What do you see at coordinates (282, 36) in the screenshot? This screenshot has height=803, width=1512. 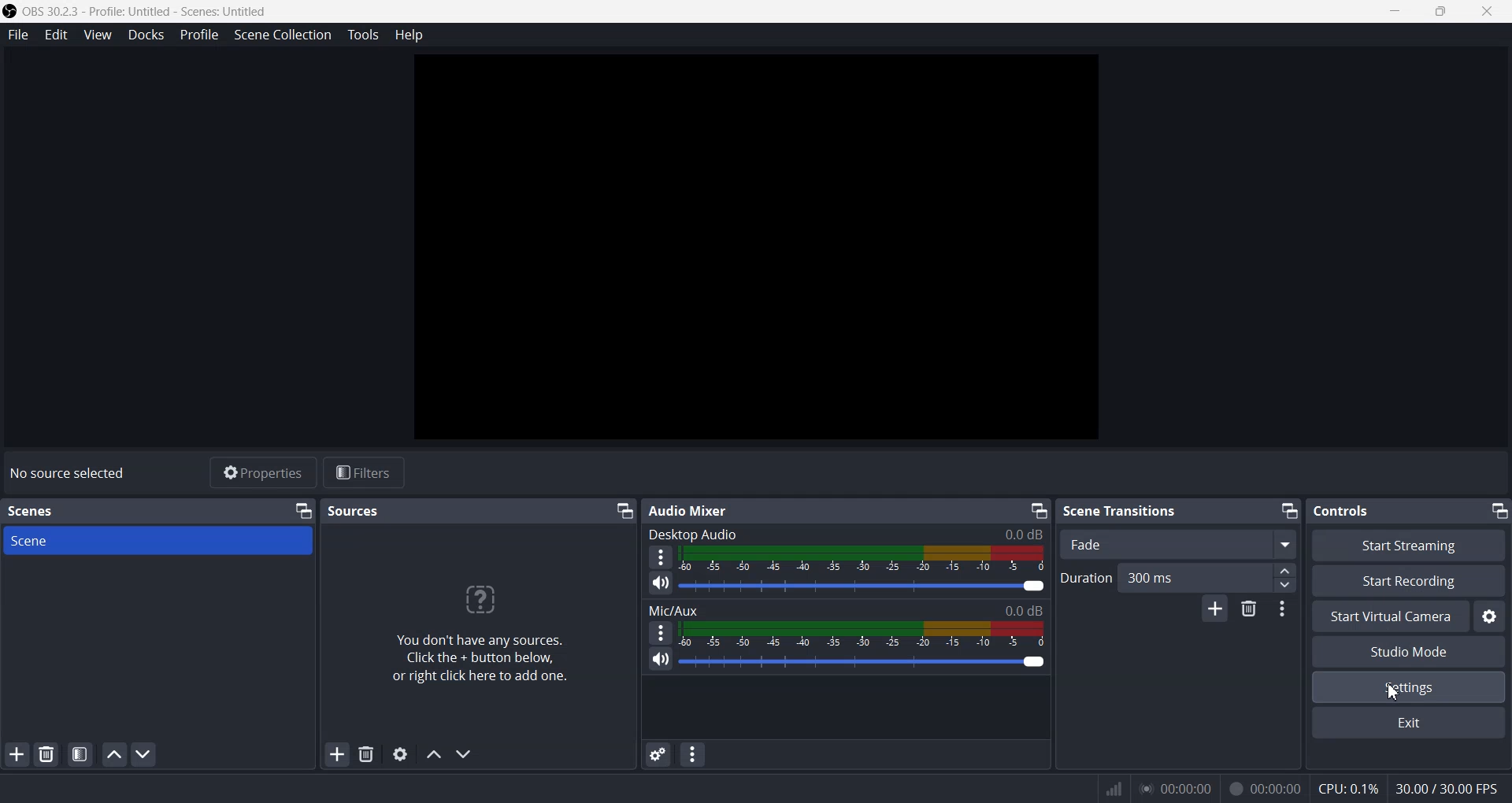 I see `Scene Collection` at bounding box center [282, 36].